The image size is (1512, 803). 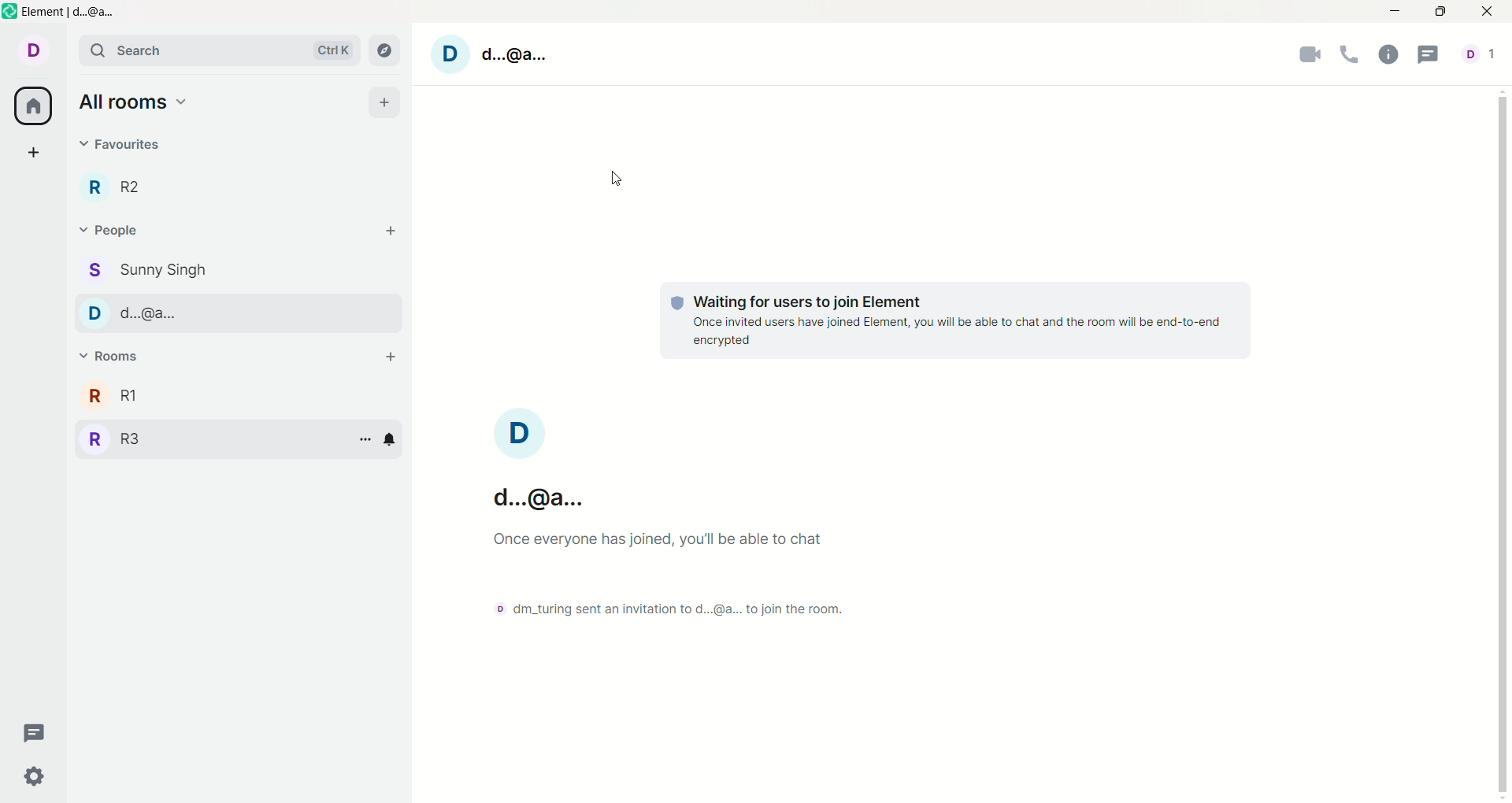 What do you see at coordinates (390, 358) in the screenshot?
I see `add` at bounding box center [390, 358].